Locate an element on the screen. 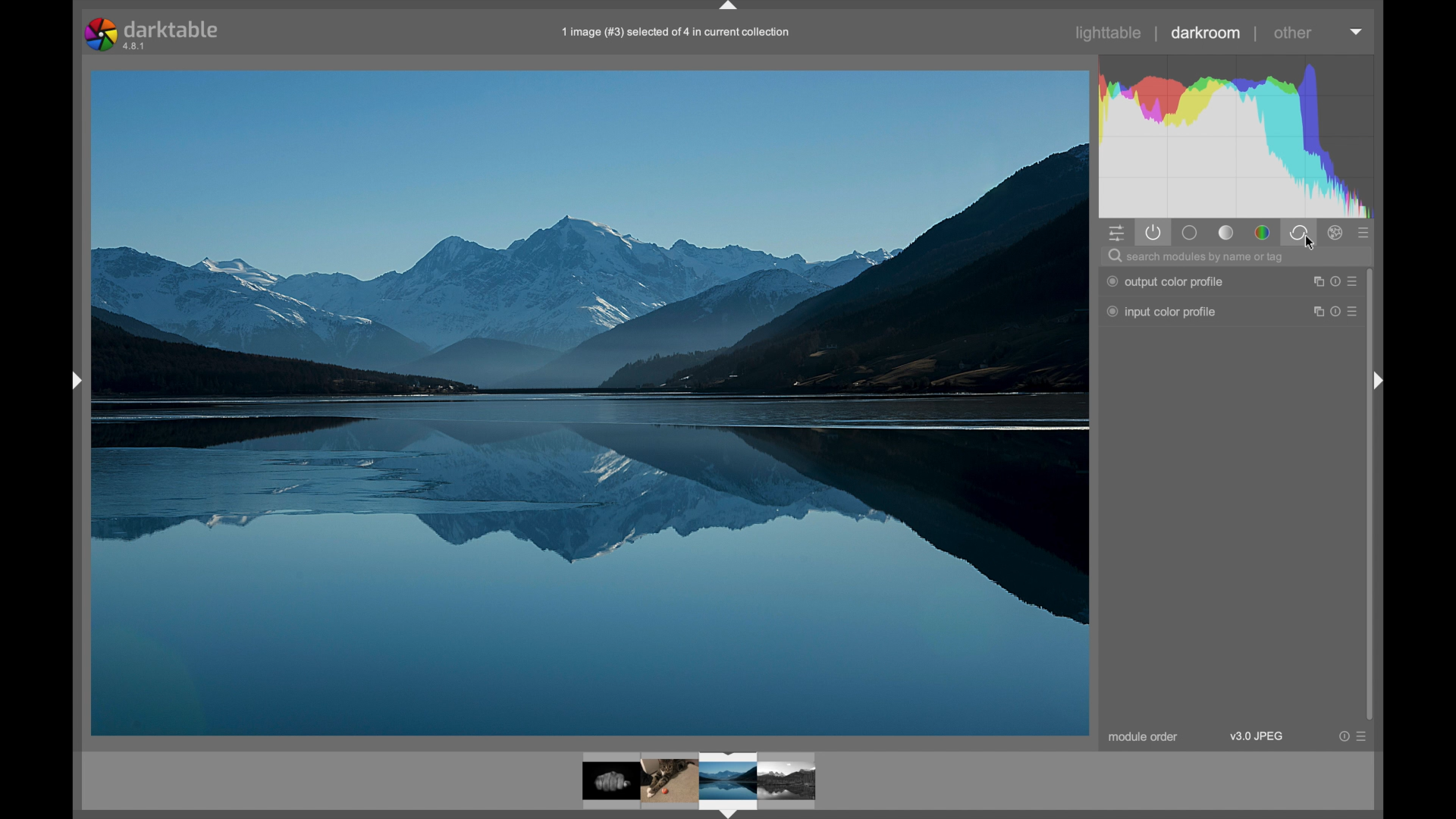  darktable is located at coordinates (152, 35).